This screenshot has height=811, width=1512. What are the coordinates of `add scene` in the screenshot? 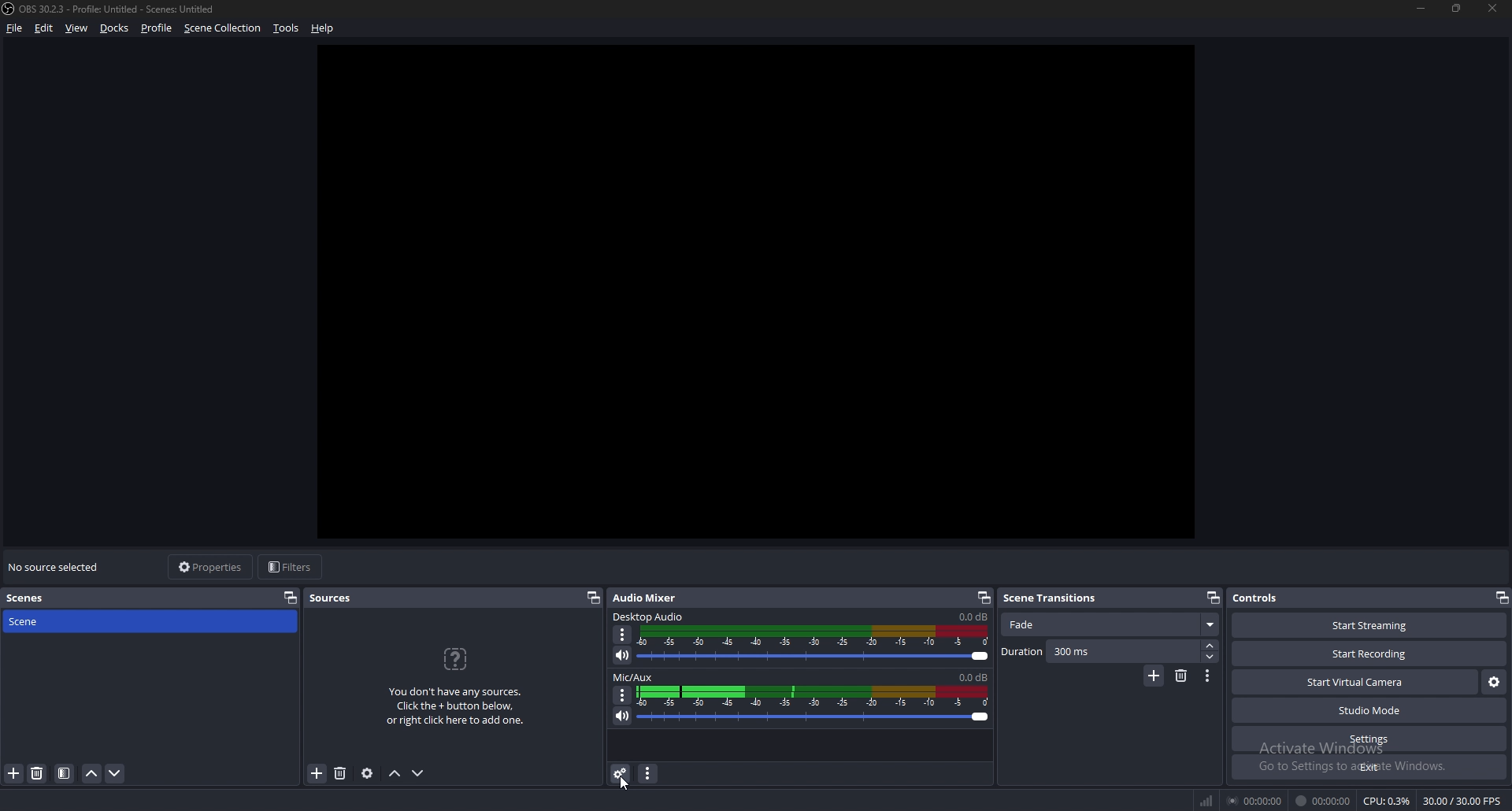 It's located at (1154, 676).